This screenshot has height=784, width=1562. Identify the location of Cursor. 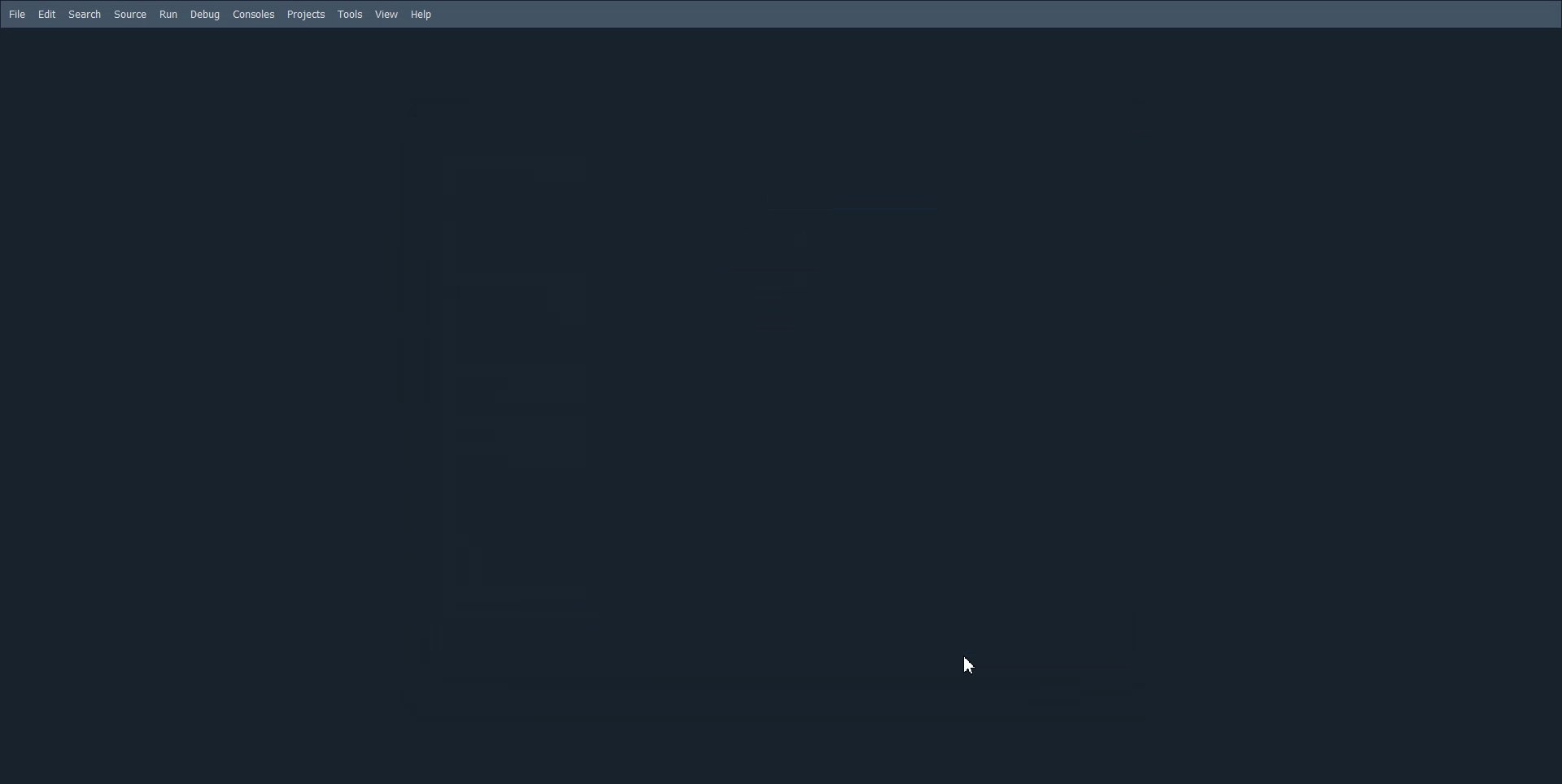
(969, 664).